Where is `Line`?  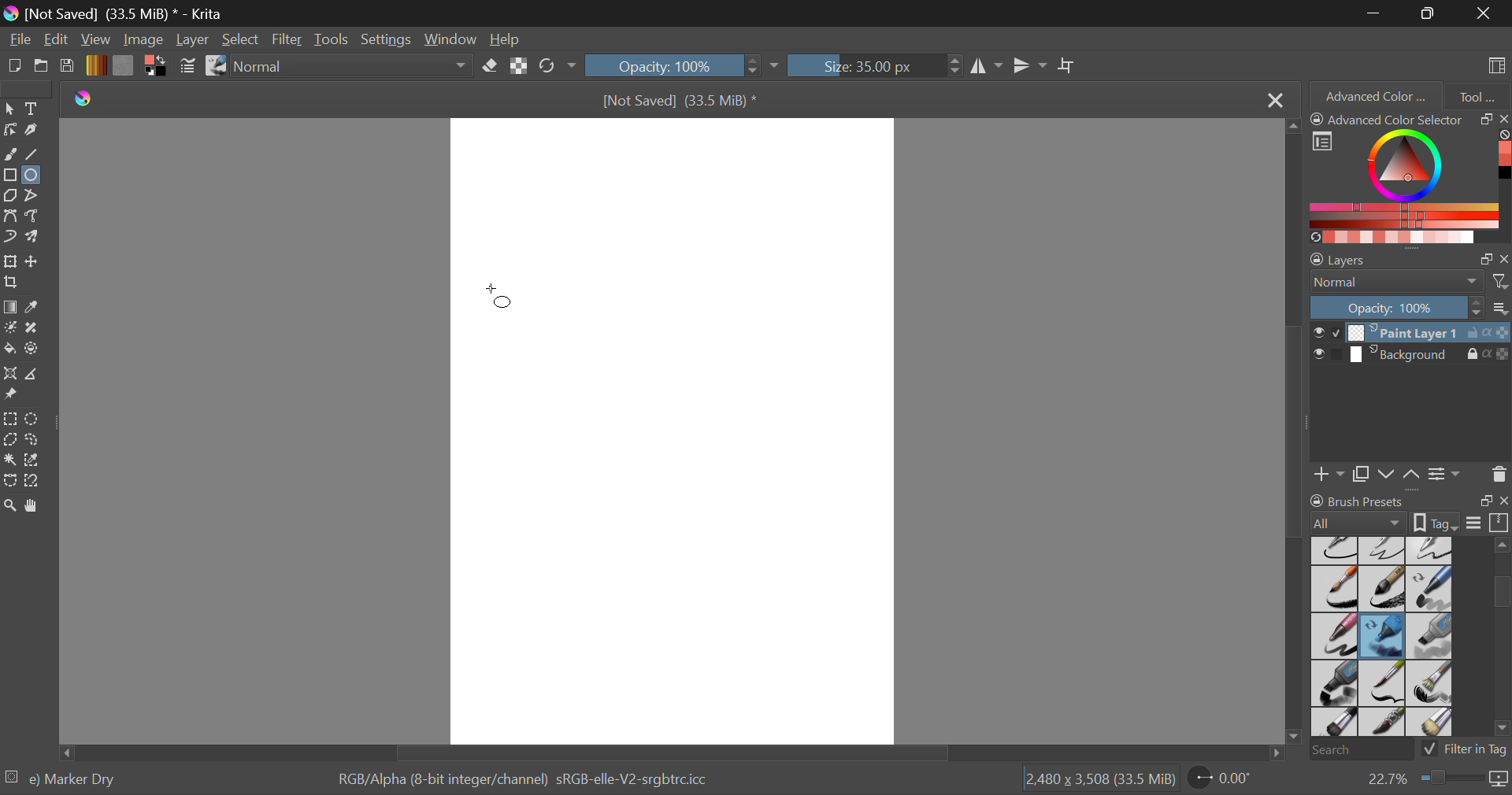 Line is located at coordinates (35, 156).